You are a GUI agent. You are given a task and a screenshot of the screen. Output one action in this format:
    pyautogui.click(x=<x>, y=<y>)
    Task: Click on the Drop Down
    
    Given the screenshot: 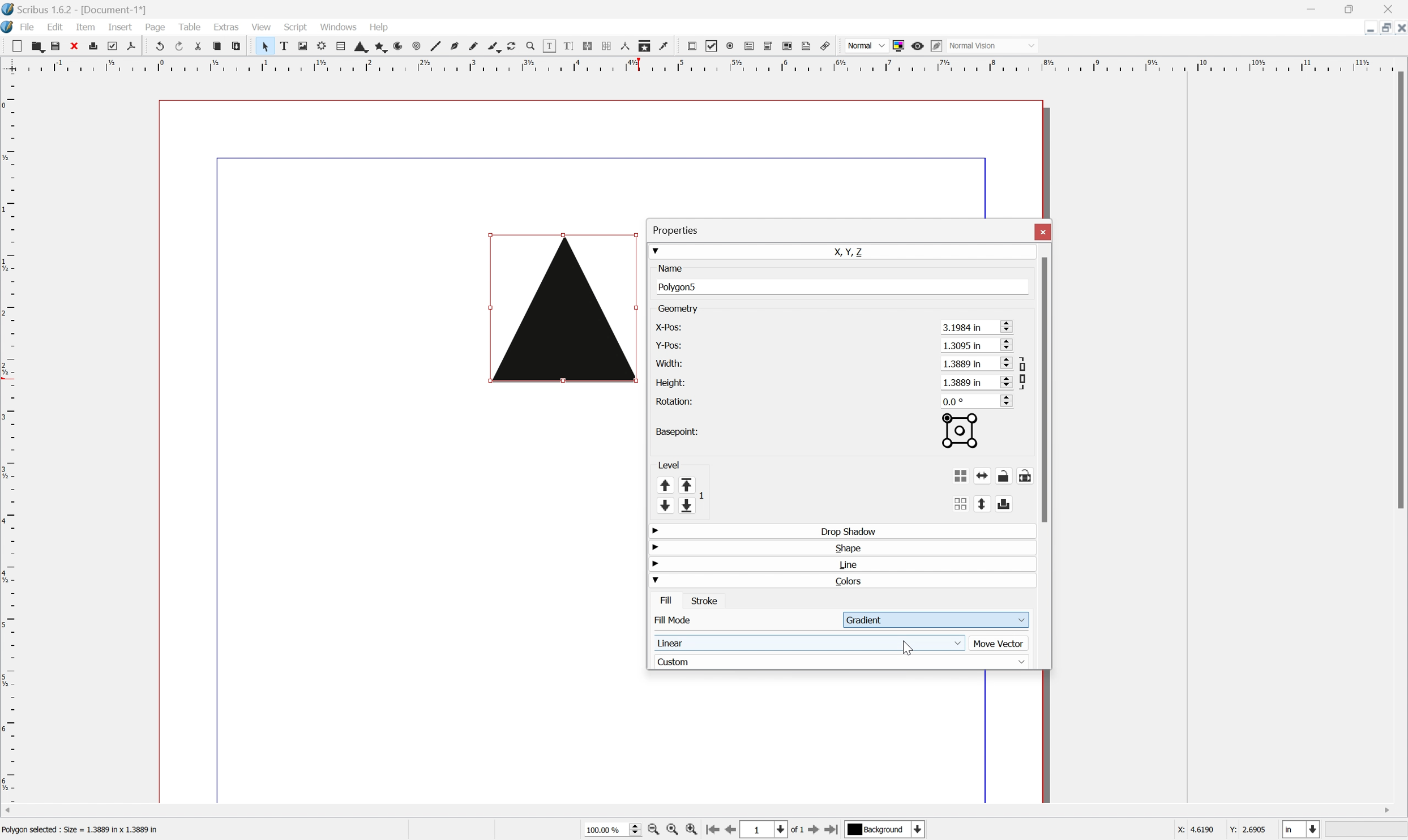 What is the action you would take?
    pyautogui.click(x=656, y=250)
    